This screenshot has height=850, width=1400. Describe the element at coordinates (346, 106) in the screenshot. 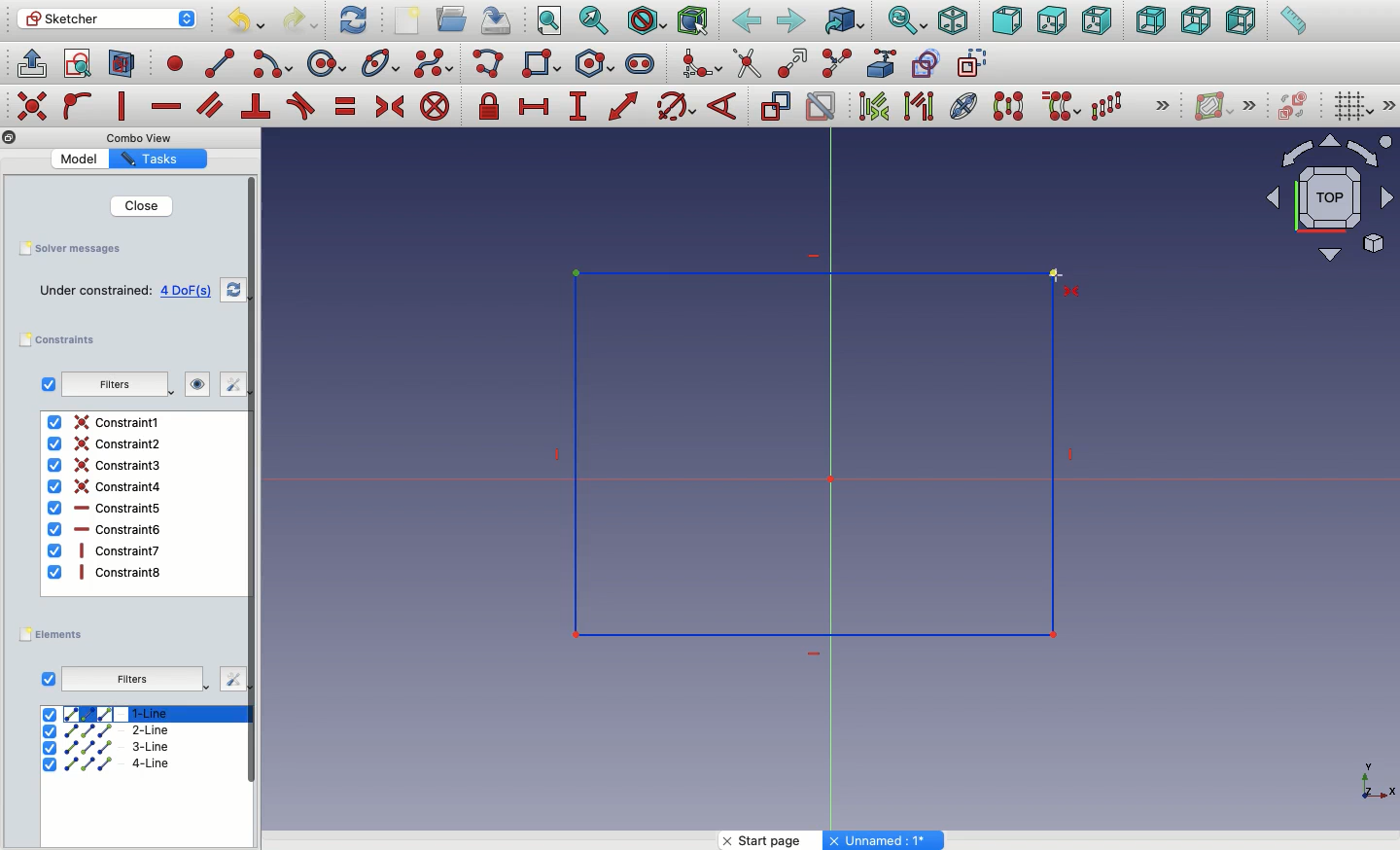

I see `constrain equal` at that location.